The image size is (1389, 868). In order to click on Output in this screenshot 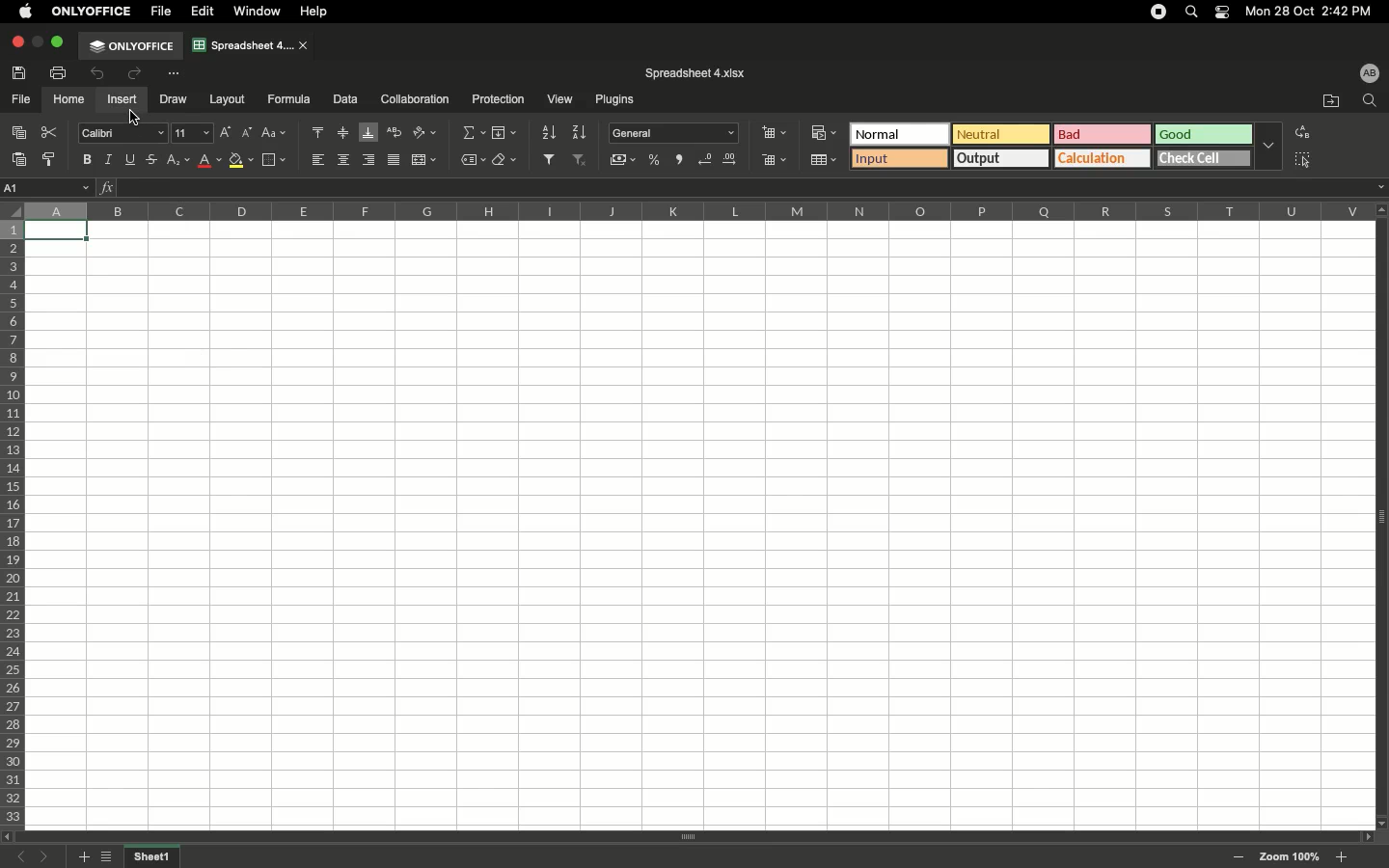, I will do `click(1002, 158)`.